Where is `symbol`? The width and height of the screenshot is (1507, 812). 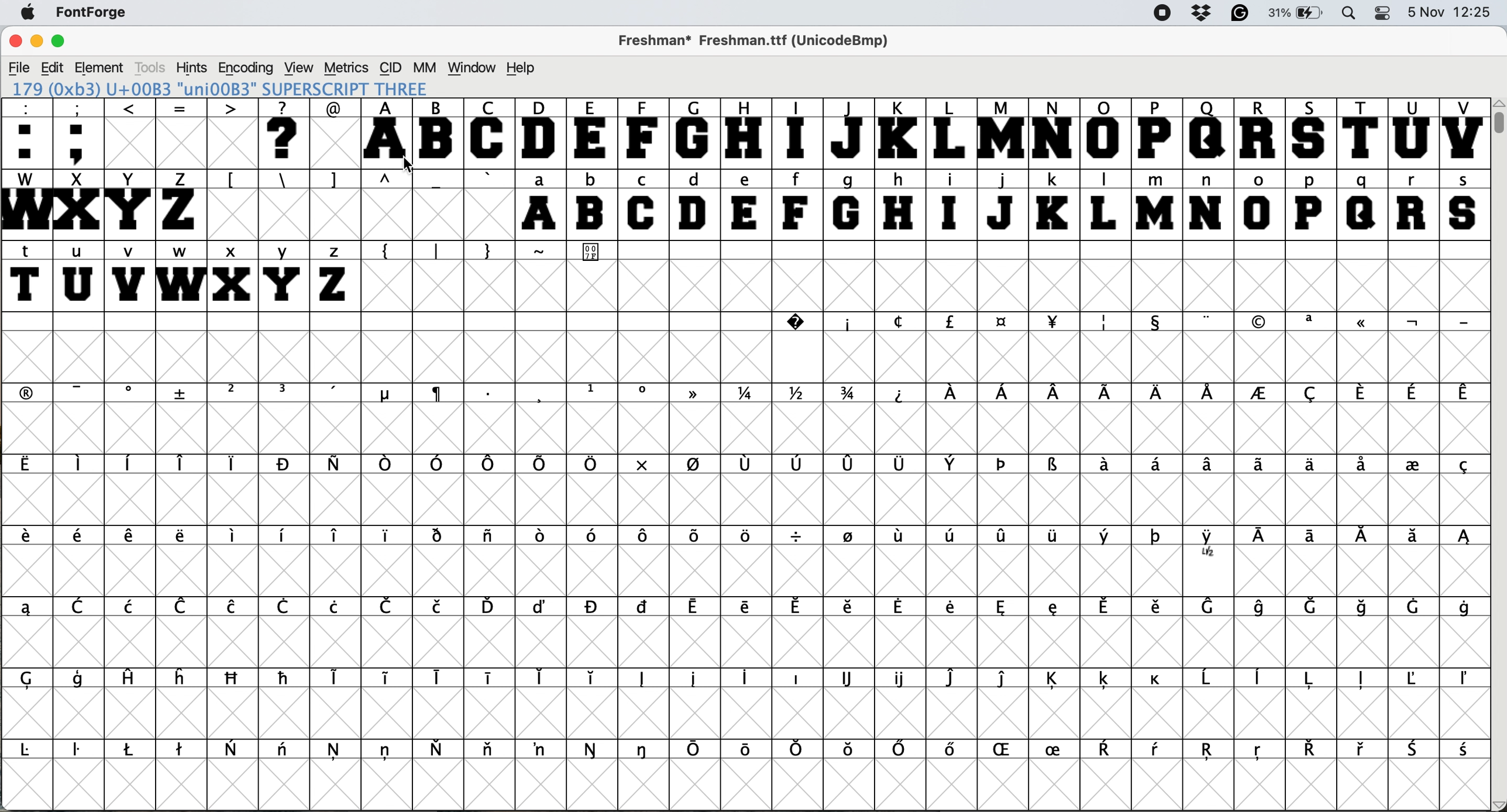
symbol is located at coordinates (696, 750).